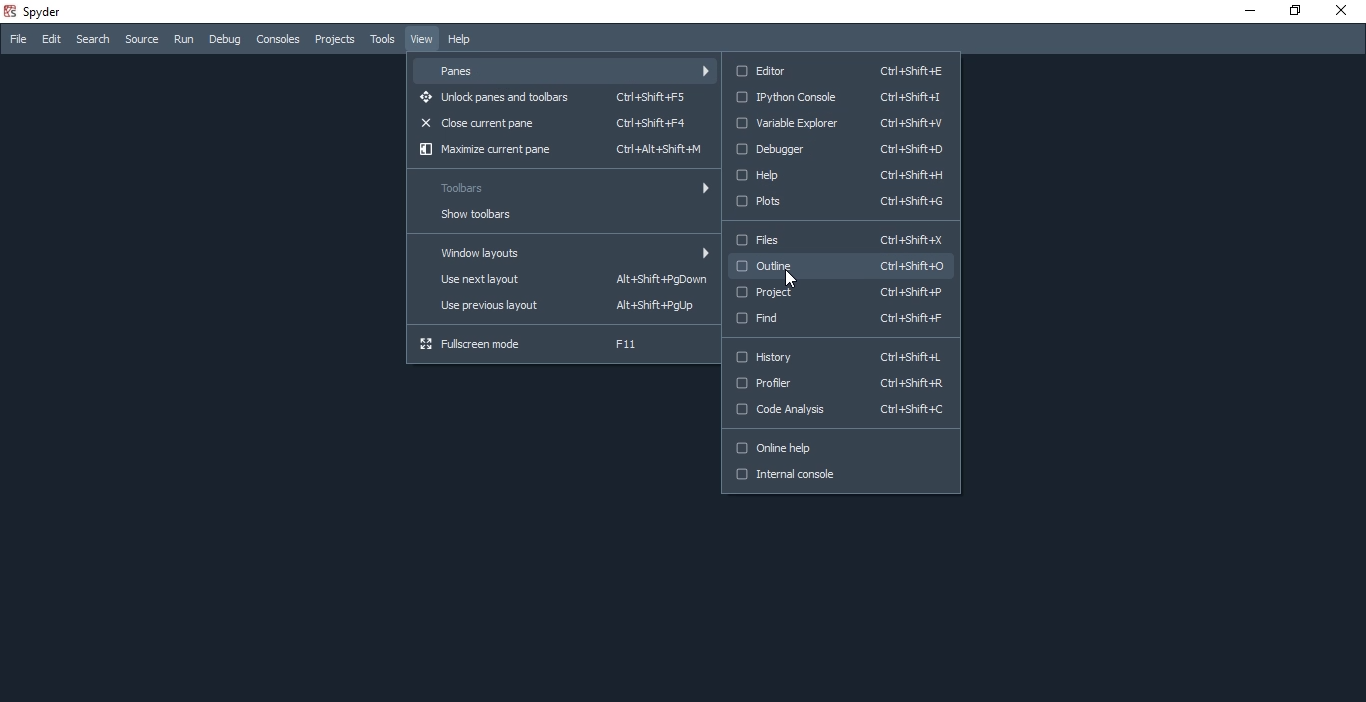 Image resolution: width=1366 pixels, height=702 pixels. I want to click on restore, so click(1293, 10).